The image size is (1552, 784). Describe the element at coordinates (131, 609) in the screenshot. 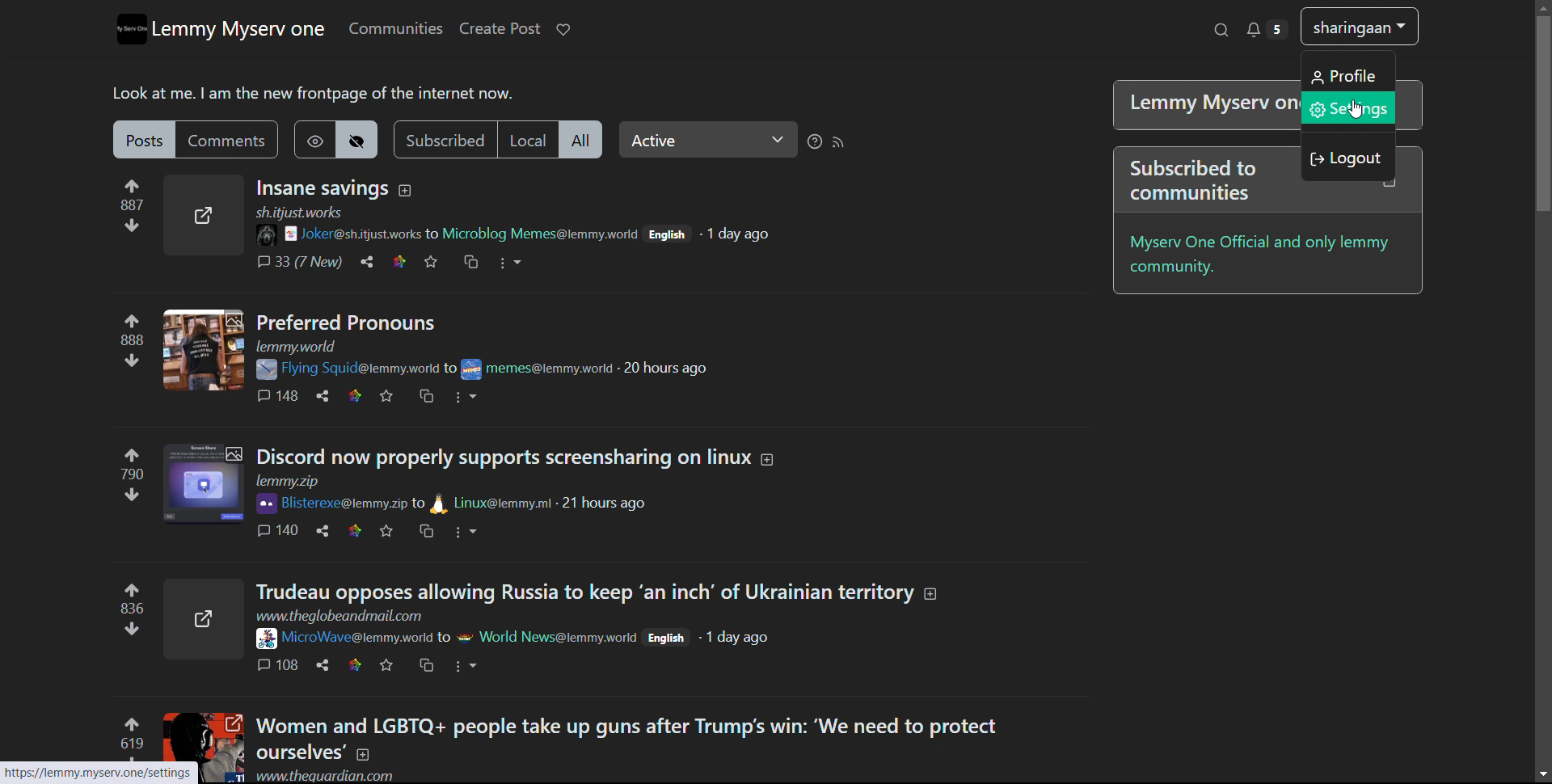

I see `upvote and downvotes` at that location.